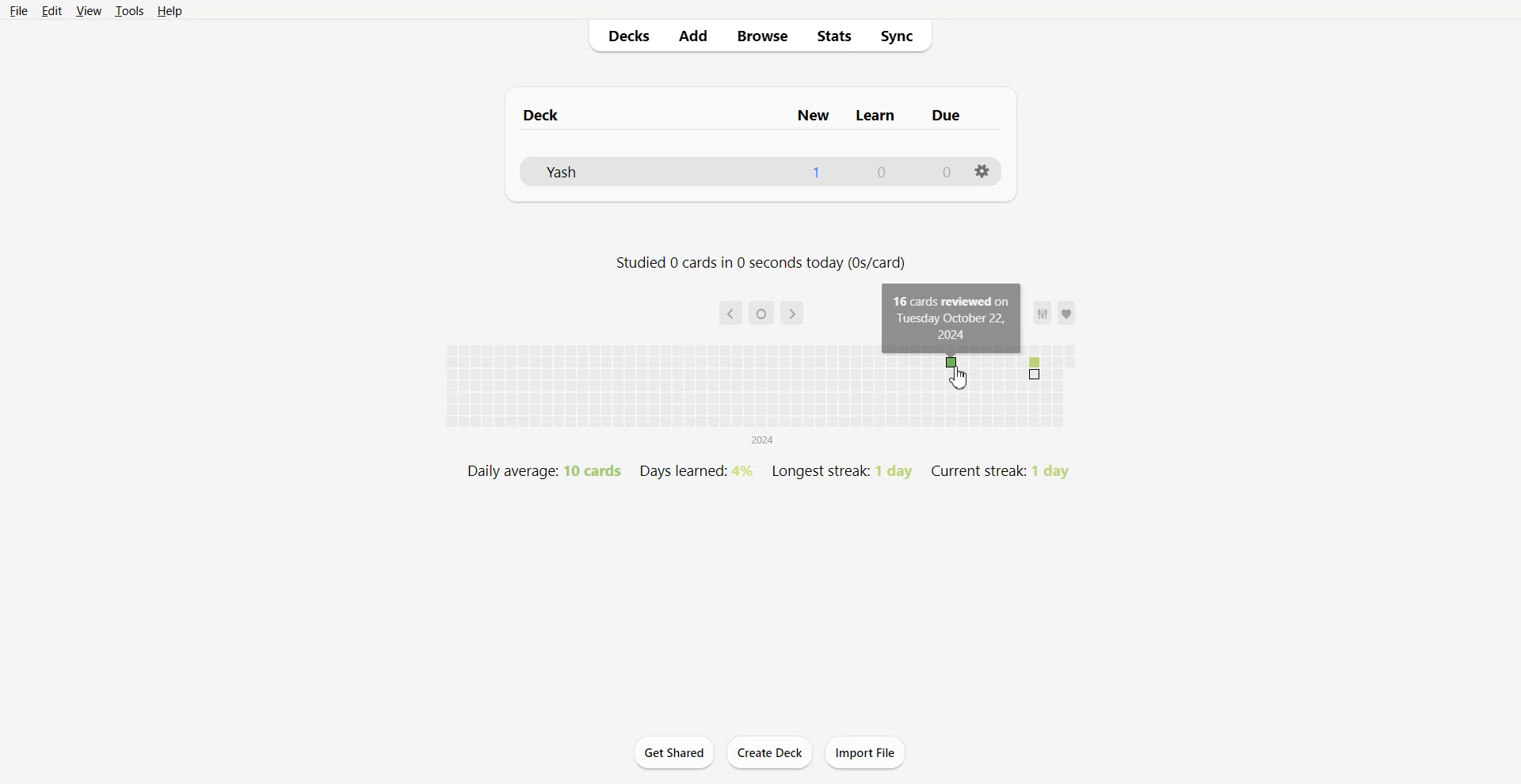 The width and height of the screenshot is (1521, 784). I want to click on current streak: 1 day, so click(998, 471).